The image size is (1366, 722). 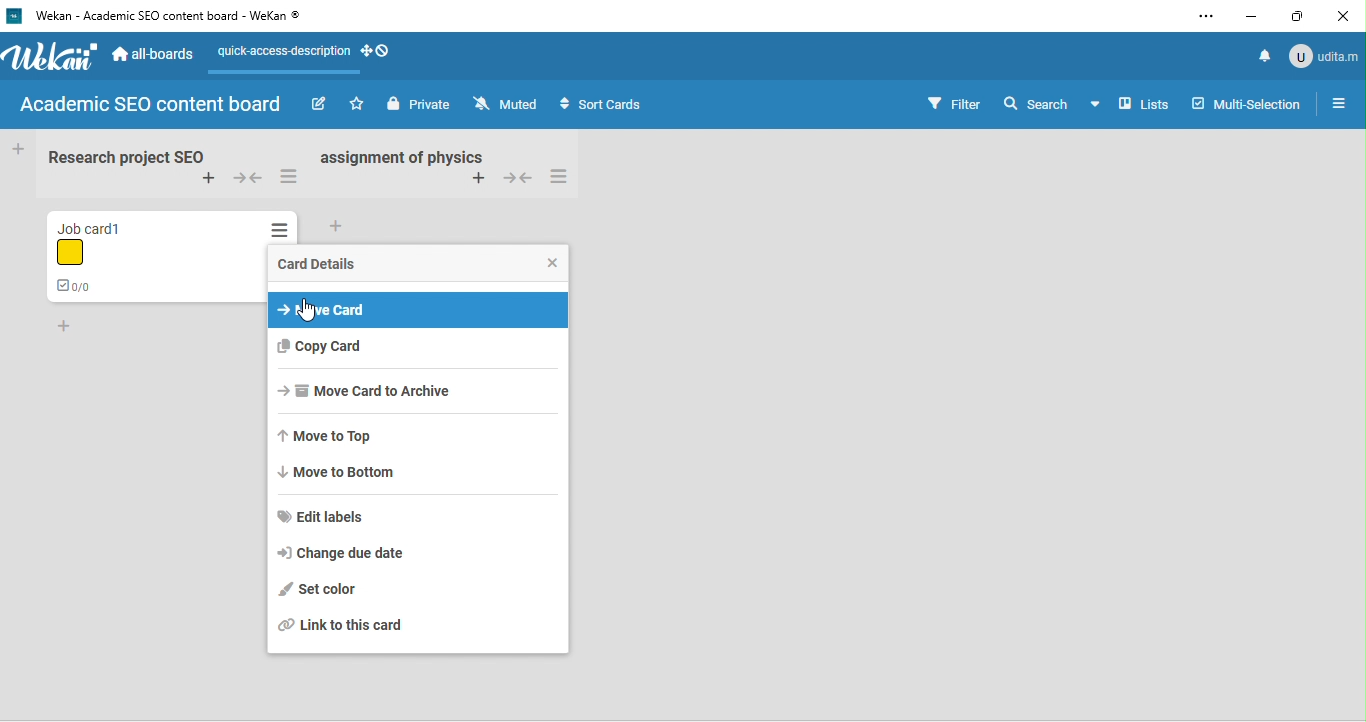 I want to click on list name, so click(x=415, y=158).